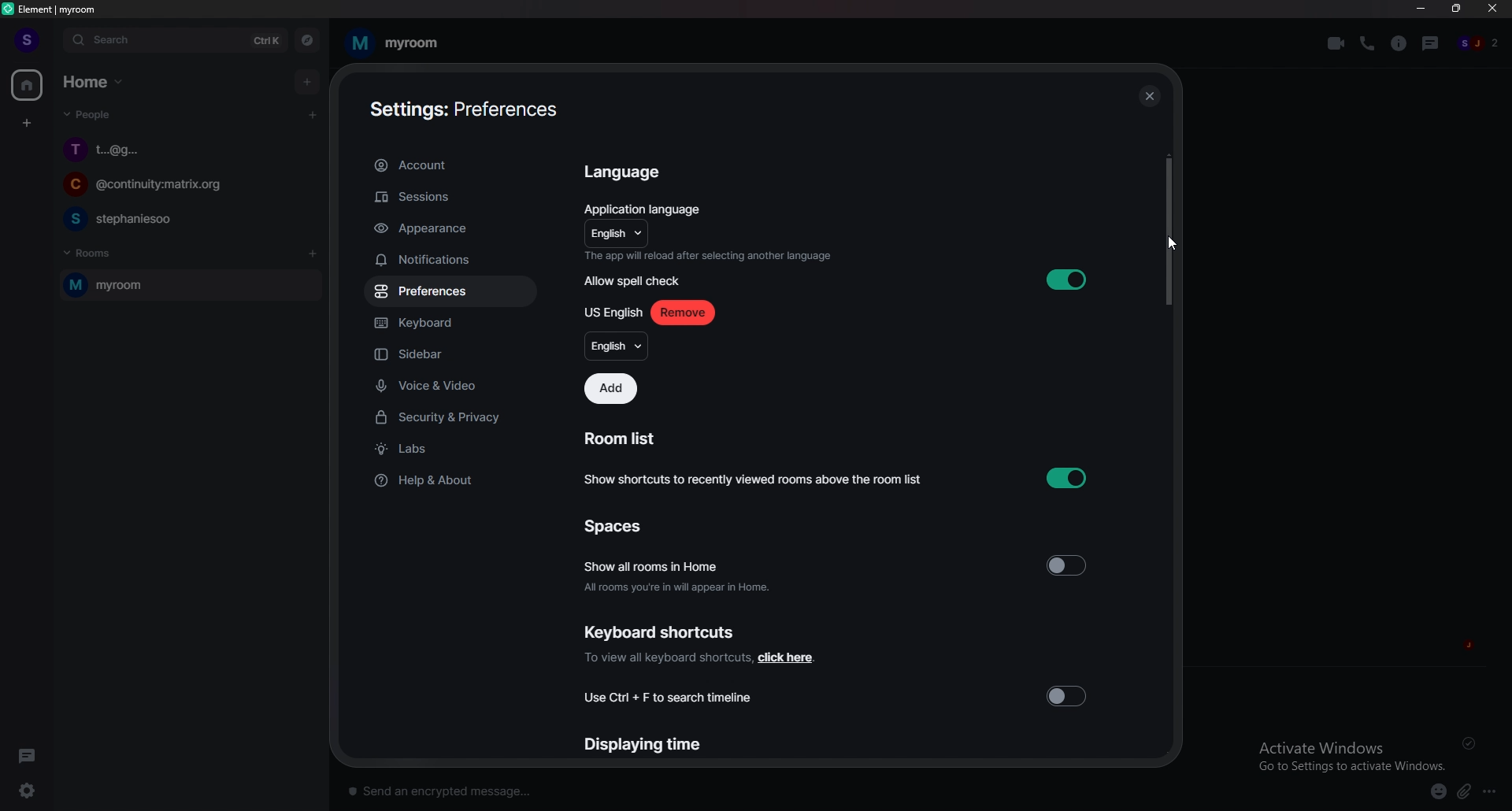  Describe the element at coordinates (308, 40) in the screenshot. I see `explore room` at that location.